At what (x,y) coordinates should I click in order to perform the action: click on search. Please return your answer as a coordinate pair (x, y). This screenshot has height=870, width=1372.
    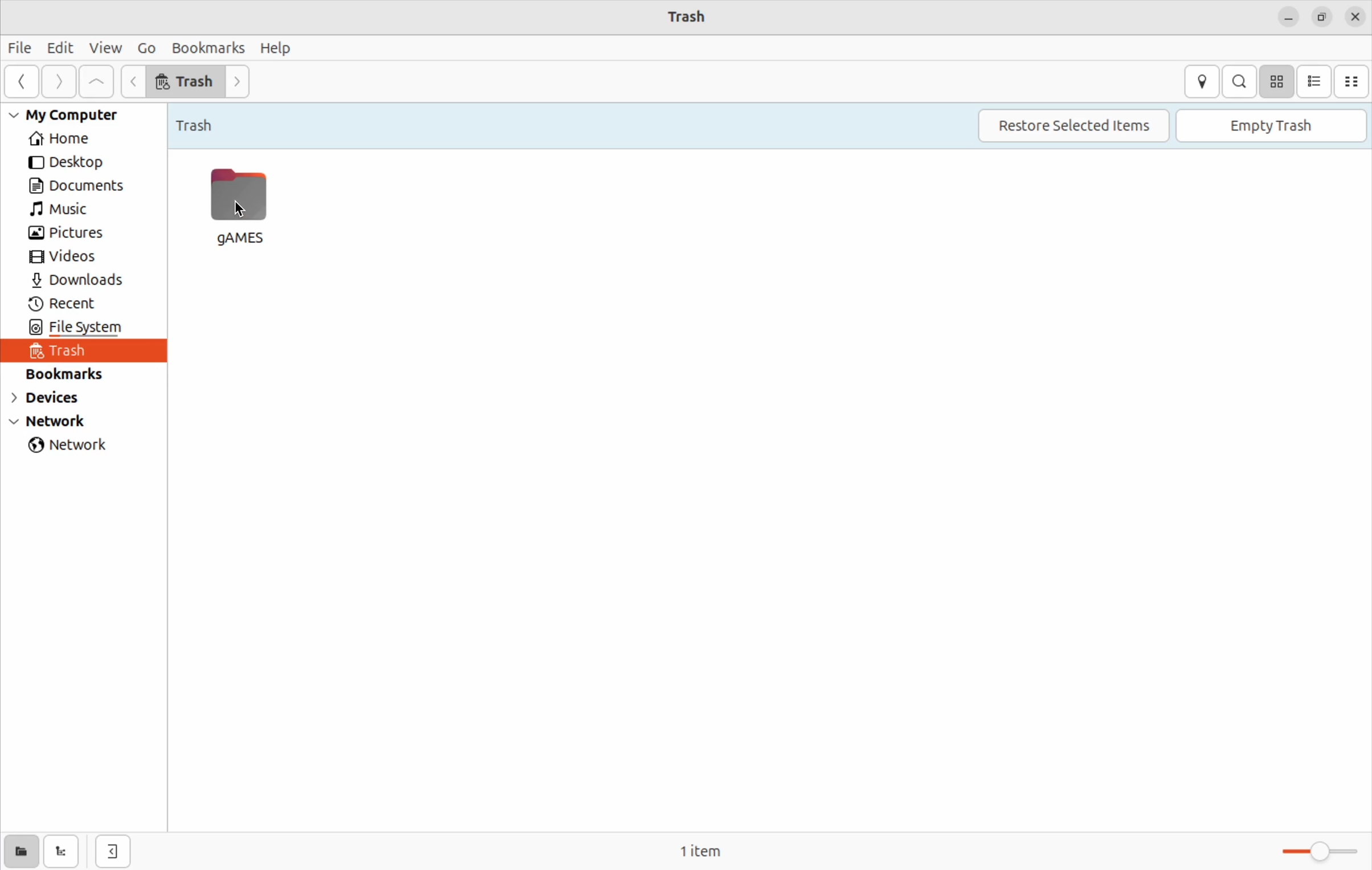
    Looking at the image, I should click on (1239, 81).